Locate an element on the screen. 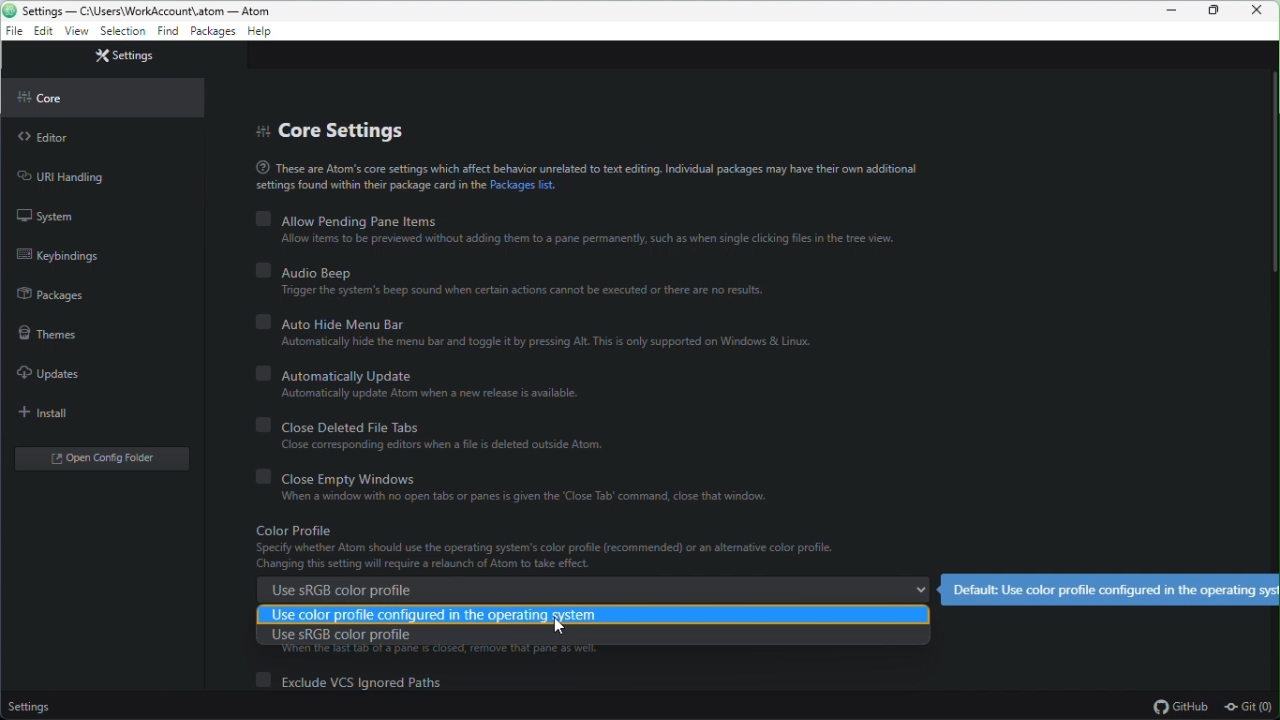 The image size is (1280, 720). settings is located at coordinates (122, 33).